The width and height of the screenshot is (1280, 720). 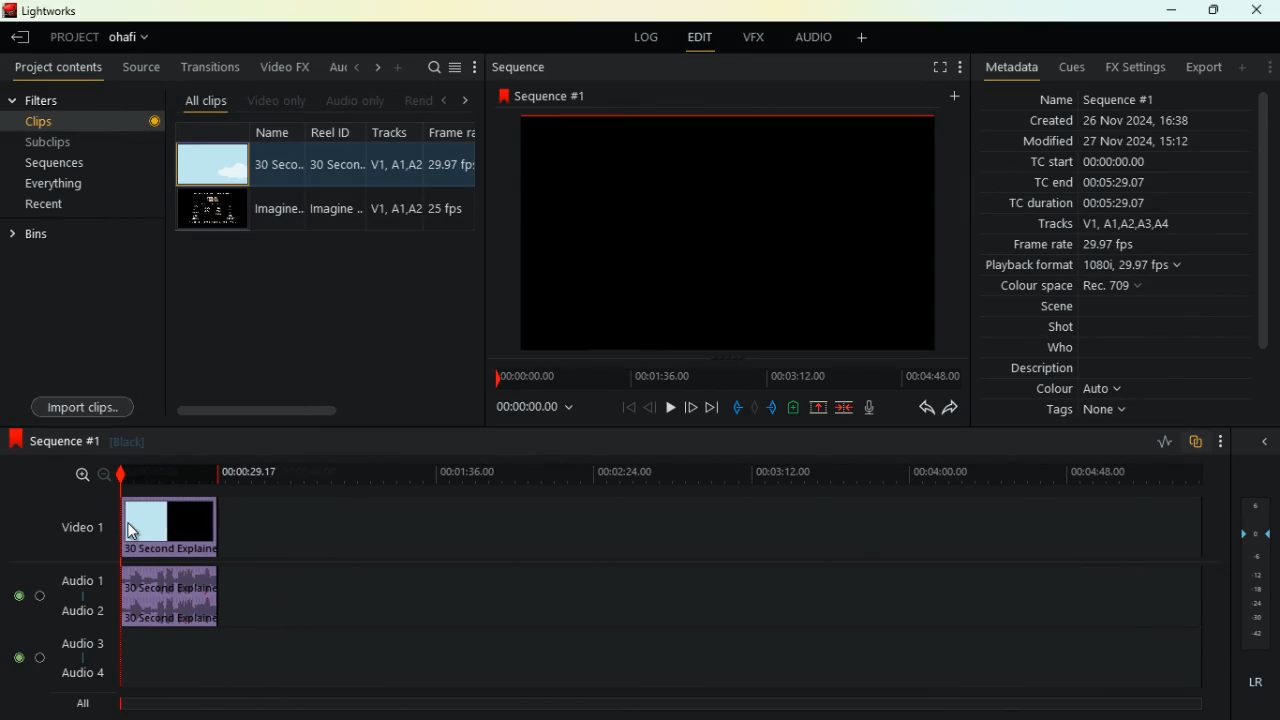 I want to click on tc duration, so click(x=1103, y=204).